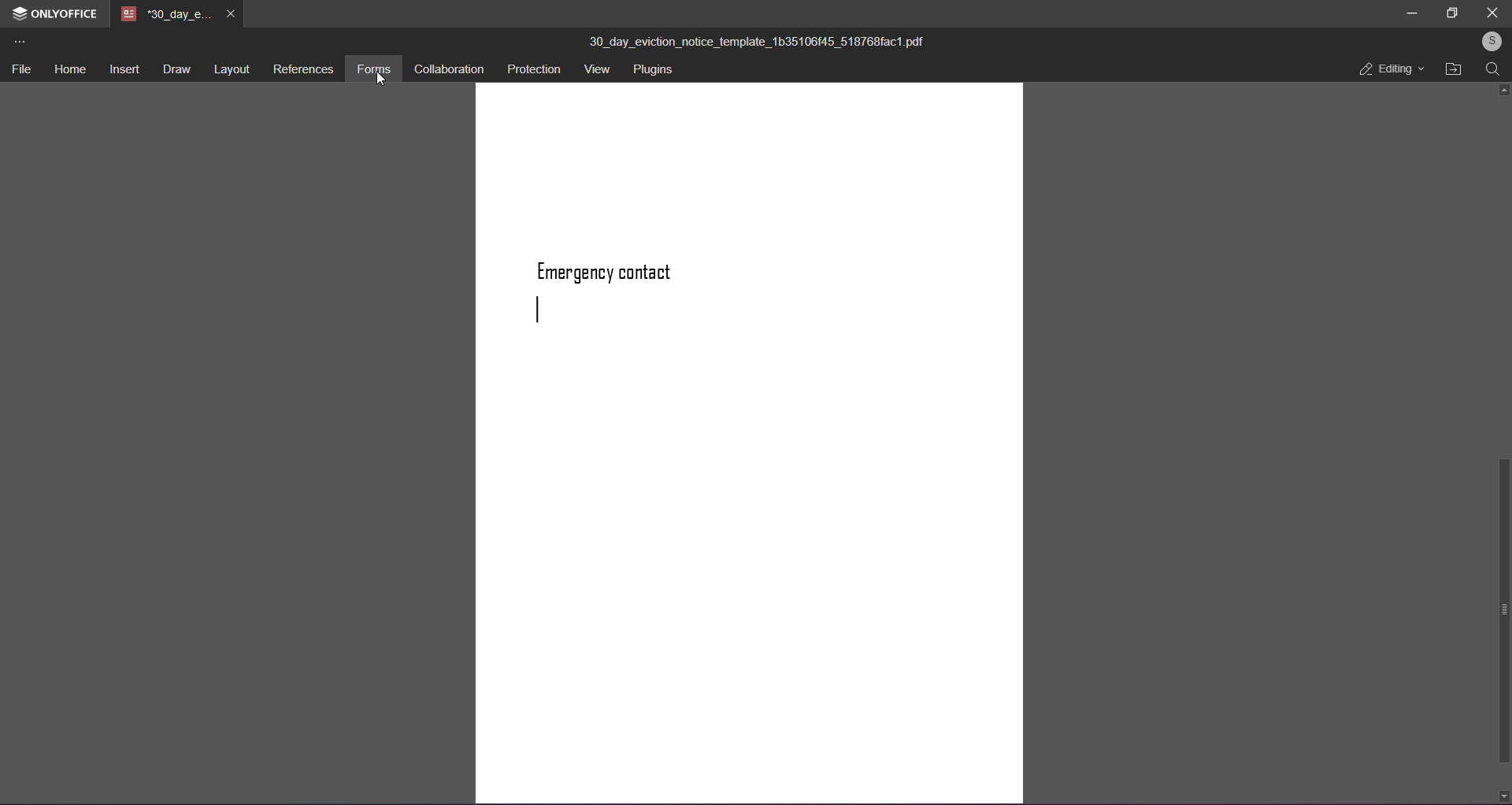 Image resolution: width=1512 pixels, height=805 pixels. Describe the element at coordinates (378, 78) in the screenshot. I see `cursor` at that location.